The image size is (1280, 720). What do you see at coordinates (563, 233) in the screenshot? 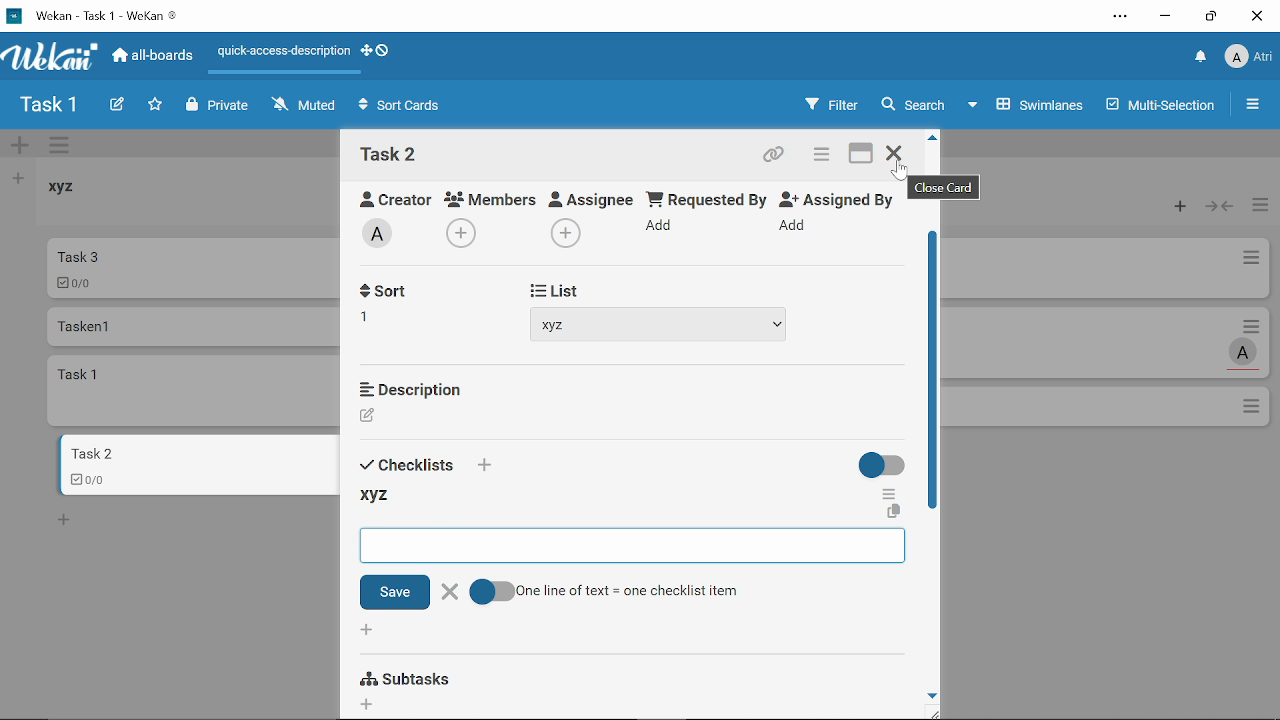
I see `Add` at bounding box center [563, 233].